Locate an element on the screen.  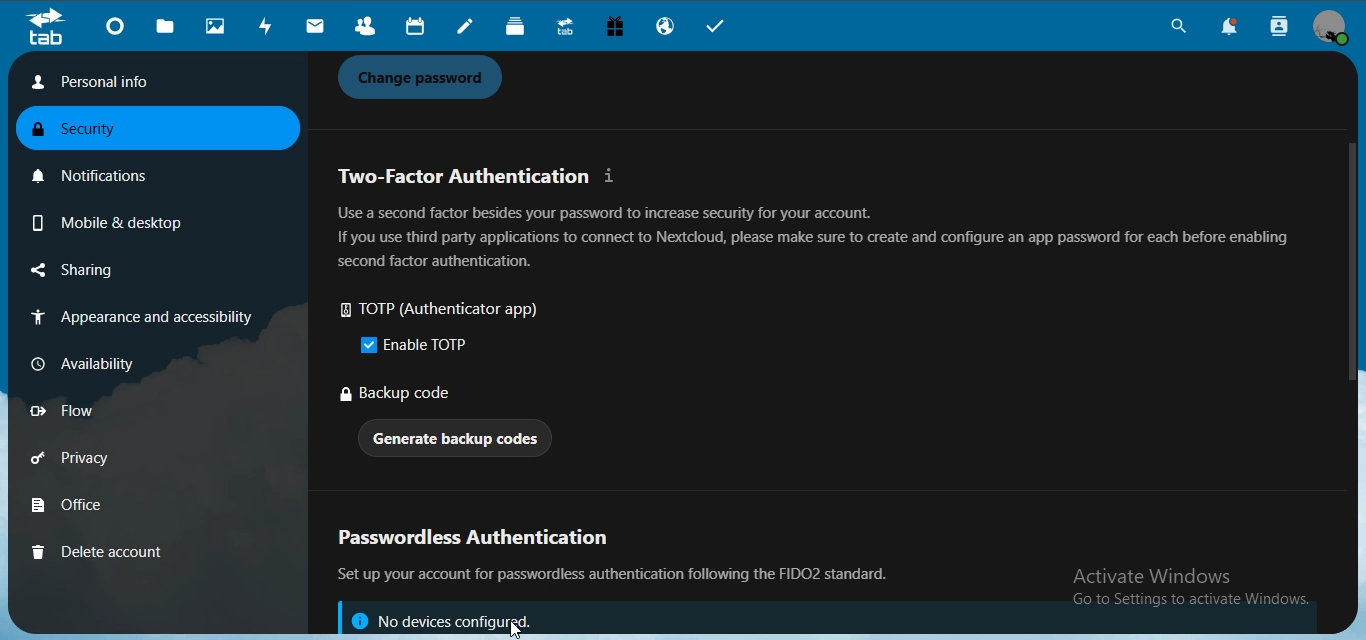
free trial is located at coordinates (617, 29).